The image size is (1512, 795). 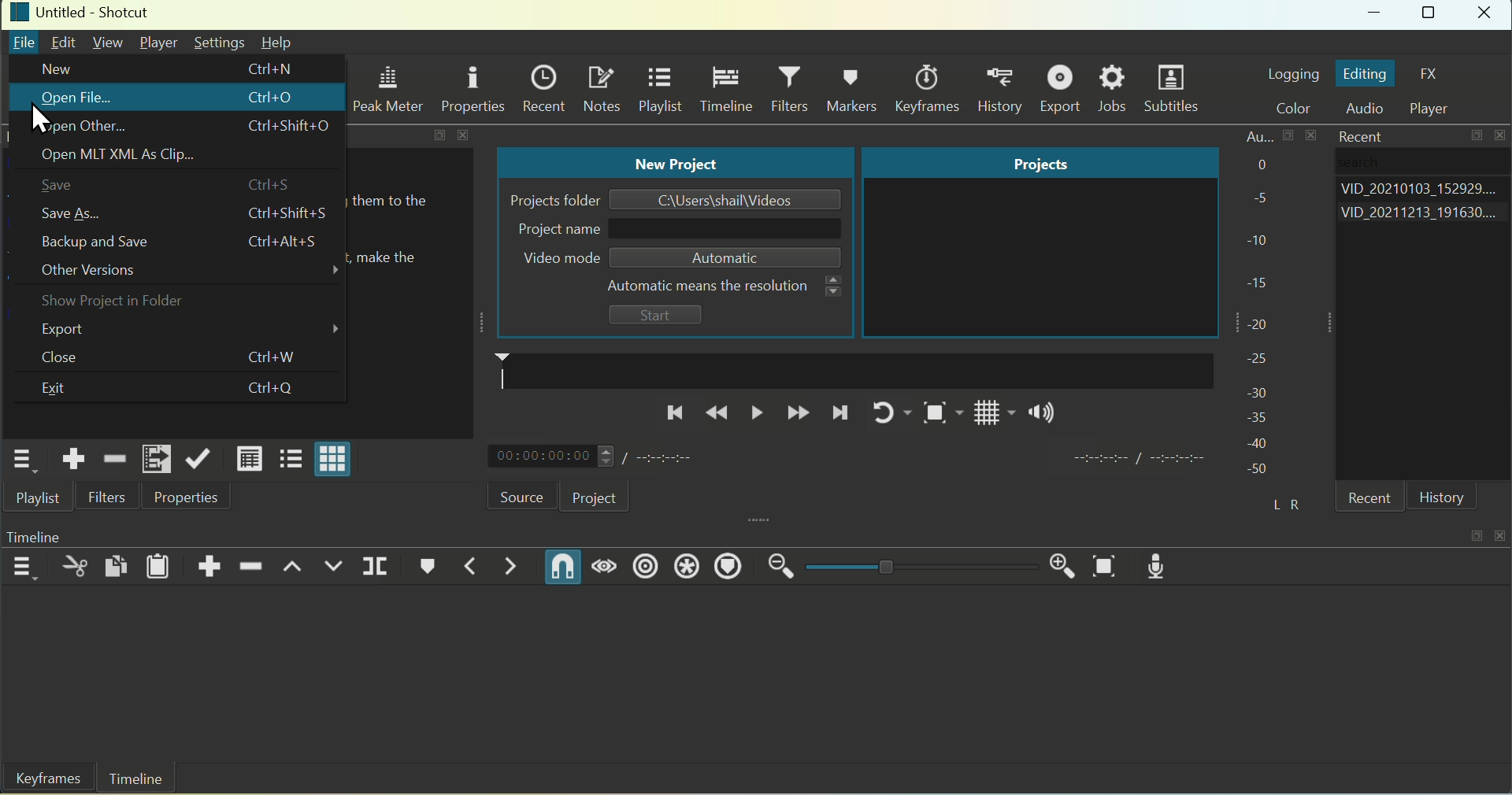 I want to click on Playlist, so click(x=41, y=499).